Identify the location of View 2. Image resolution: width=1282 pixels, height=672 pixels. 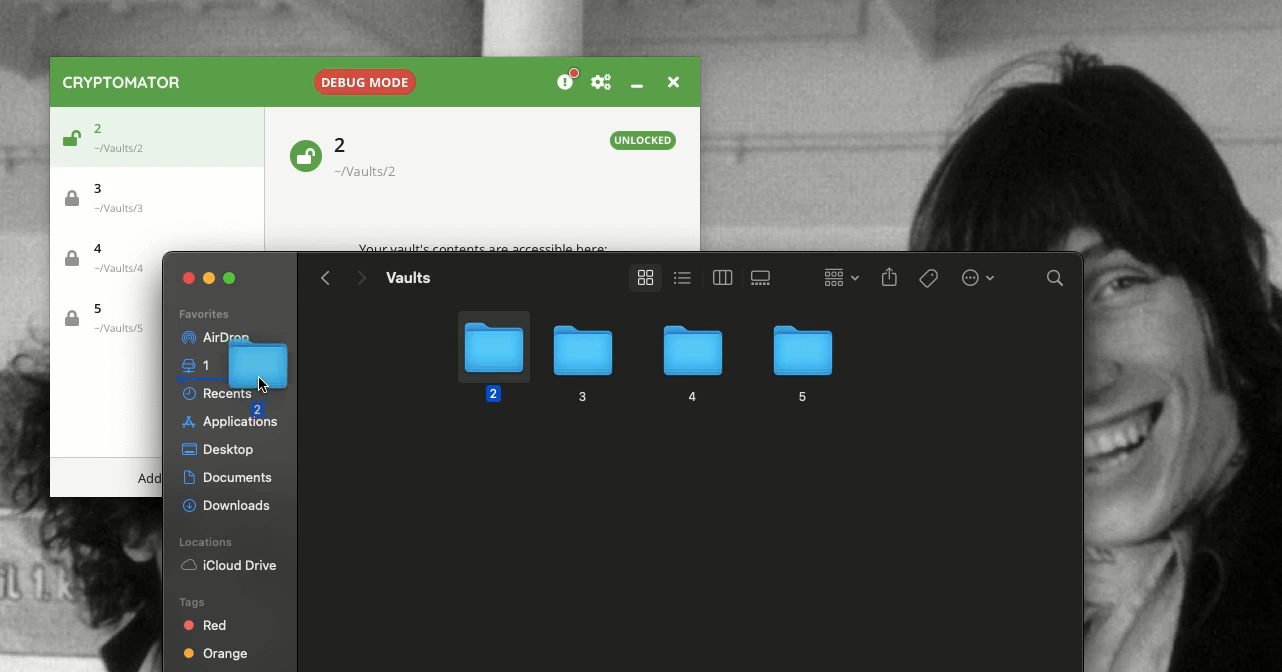
(719, 277).